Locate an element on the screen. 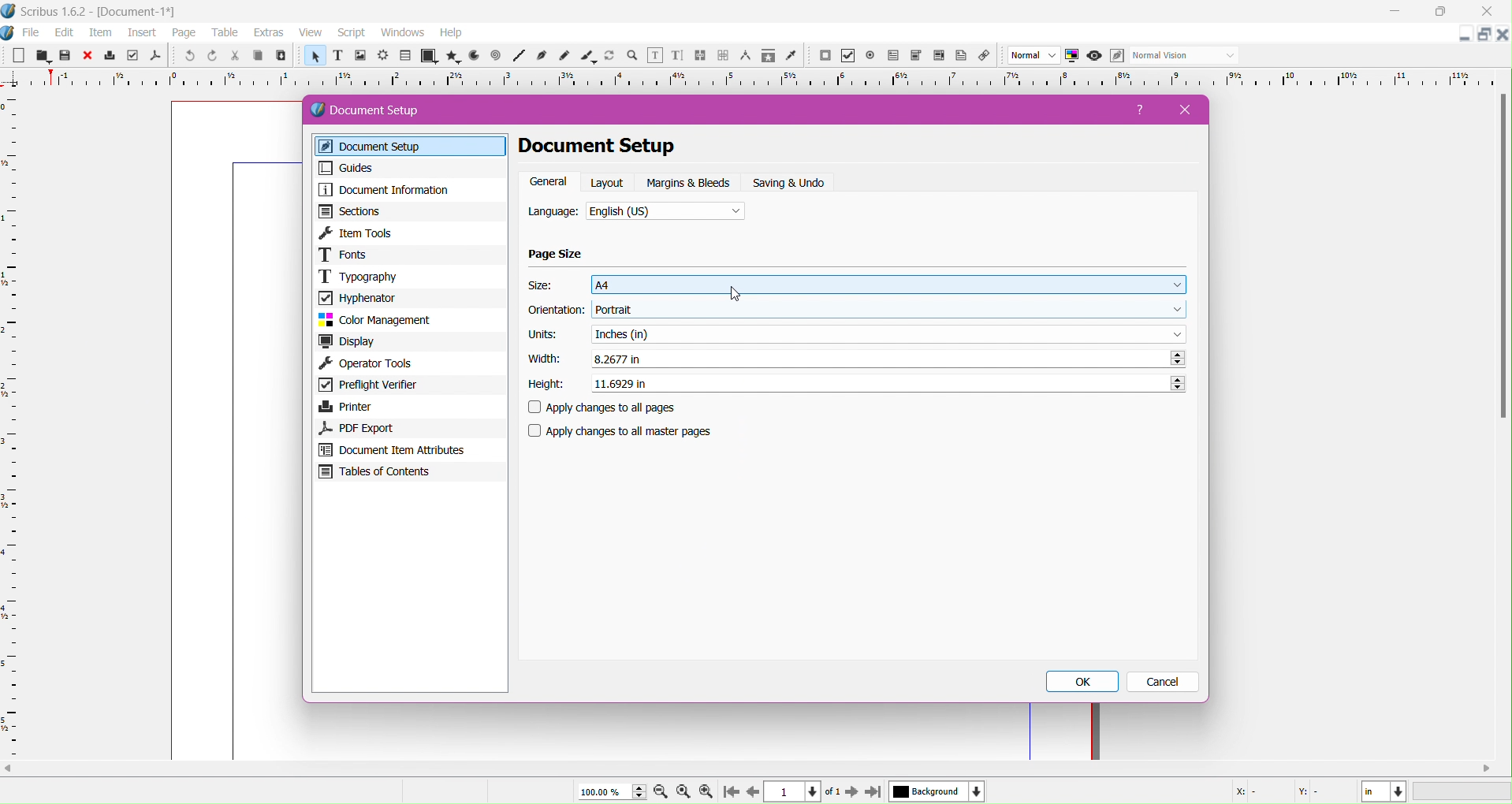  edit menu is located at coordinates (65, 33).